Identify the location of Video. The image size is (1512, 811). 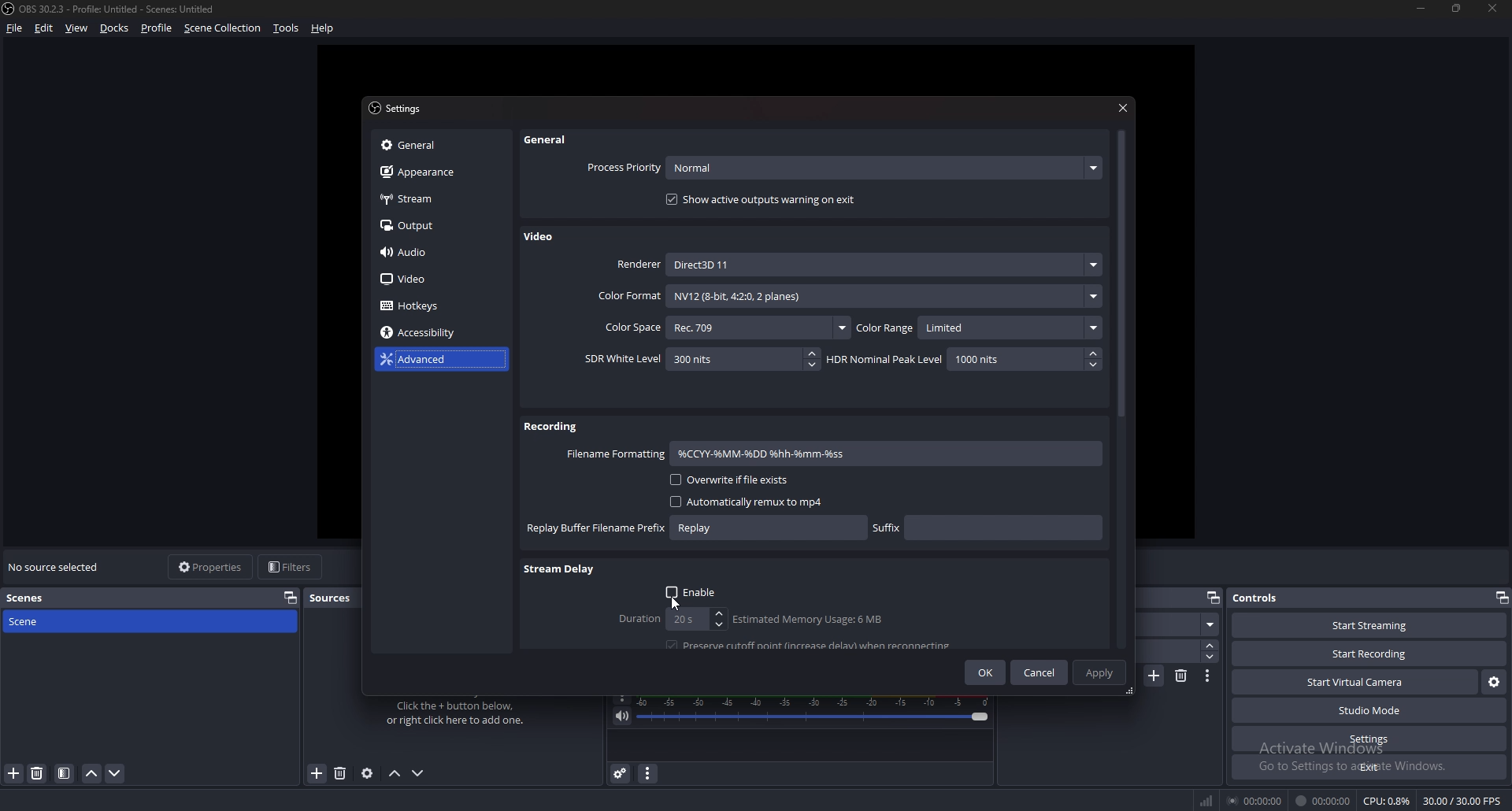
(541, 238).